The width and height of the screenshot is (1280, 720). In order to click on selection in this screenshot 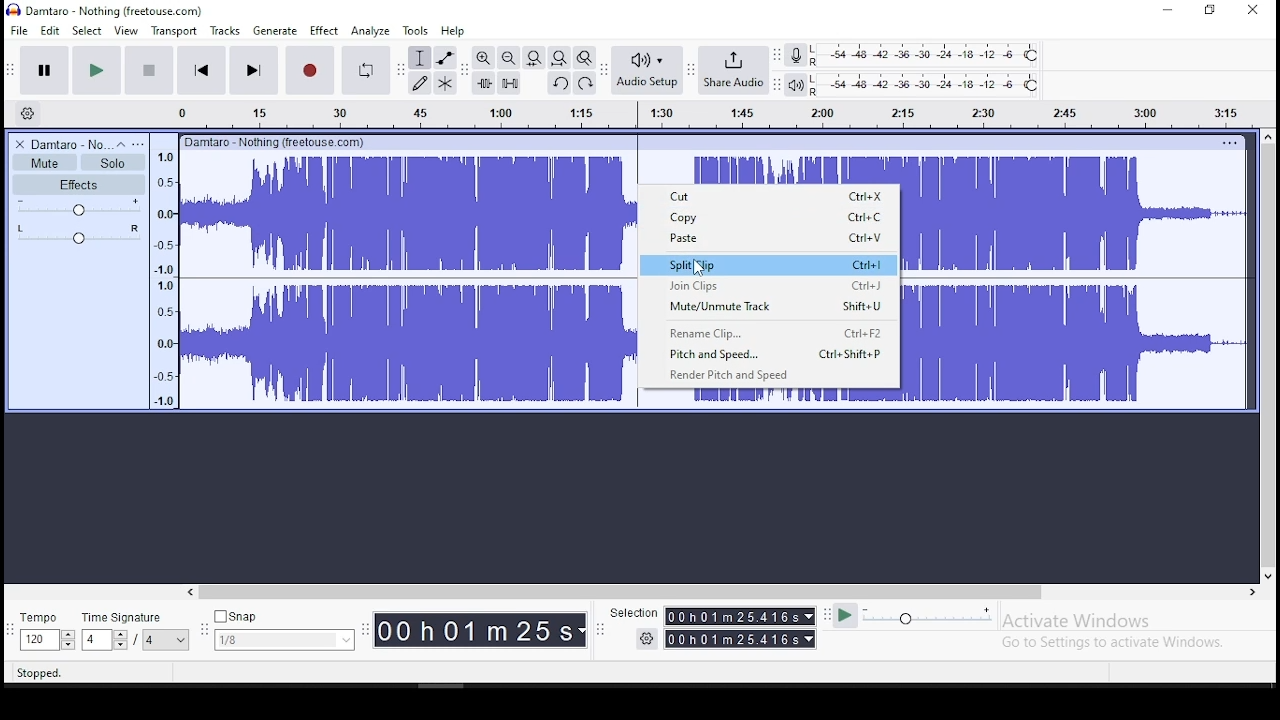, I will do `click(634, 612)`.